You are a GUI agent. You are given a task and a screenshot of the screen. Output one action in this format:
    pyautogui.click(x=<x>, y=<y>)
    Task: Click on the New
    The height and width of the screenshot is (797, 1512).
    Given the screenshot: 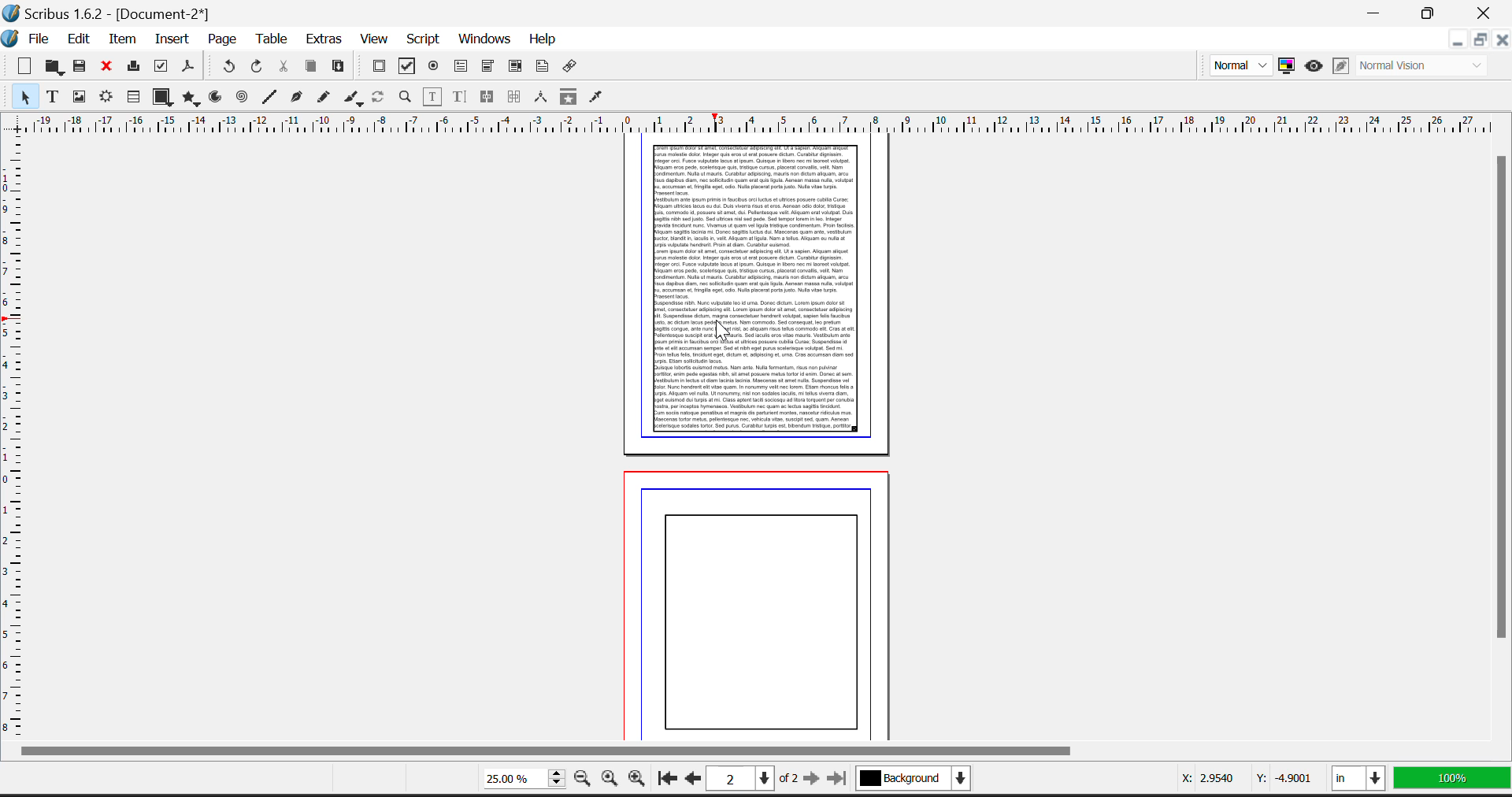 What is the action you would take?
    pyautogui.click(x=20, y=67)
    